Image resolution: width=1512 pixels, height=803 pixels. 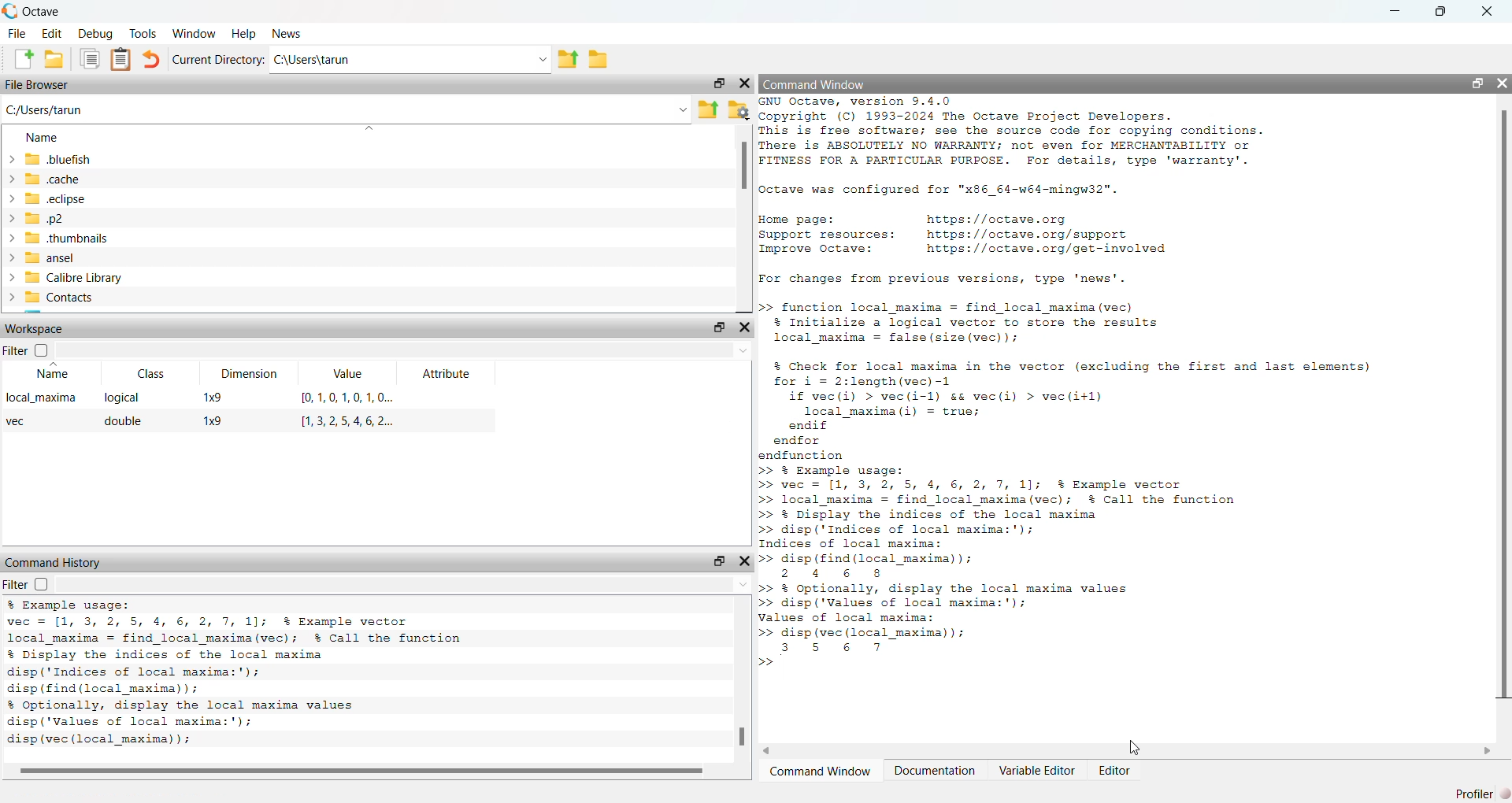 What do you see at coordinates (739, 109) in the screenshot?
I see `Browse your files` at bounding box center [739, 109].